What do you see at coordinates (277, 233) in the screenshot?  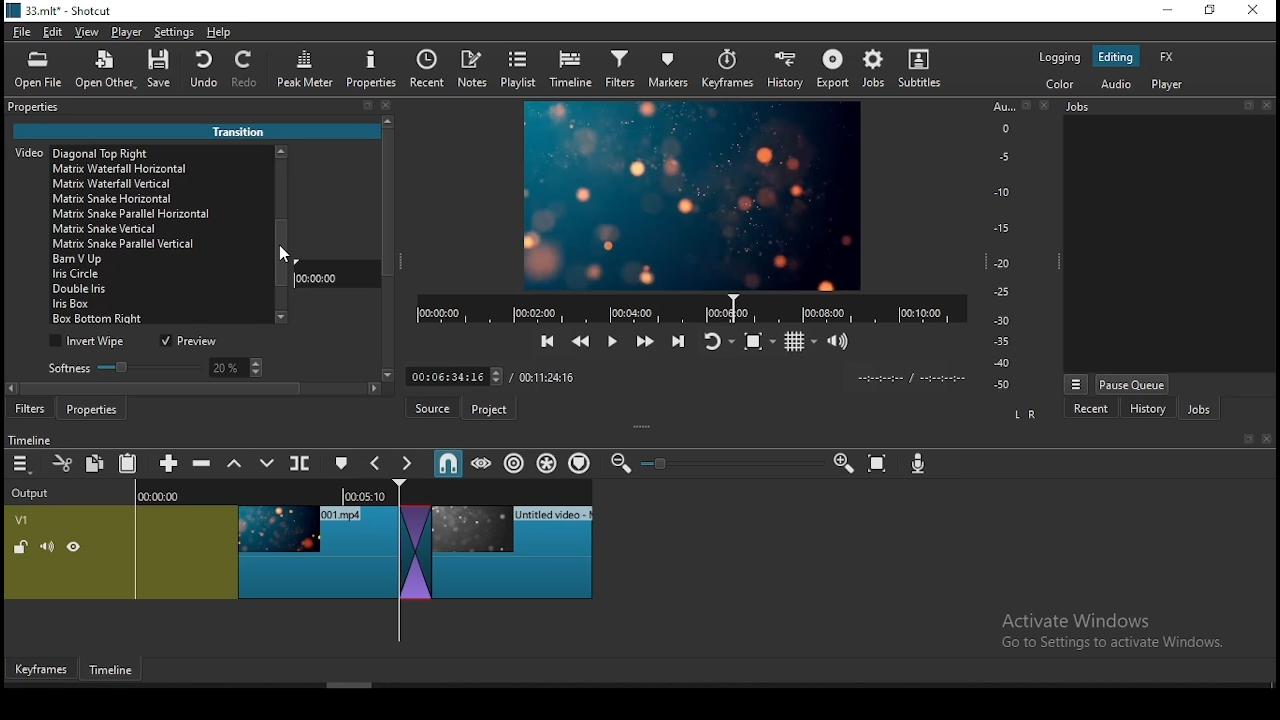 I see `scroll bar` at bounding box center [277, 233].